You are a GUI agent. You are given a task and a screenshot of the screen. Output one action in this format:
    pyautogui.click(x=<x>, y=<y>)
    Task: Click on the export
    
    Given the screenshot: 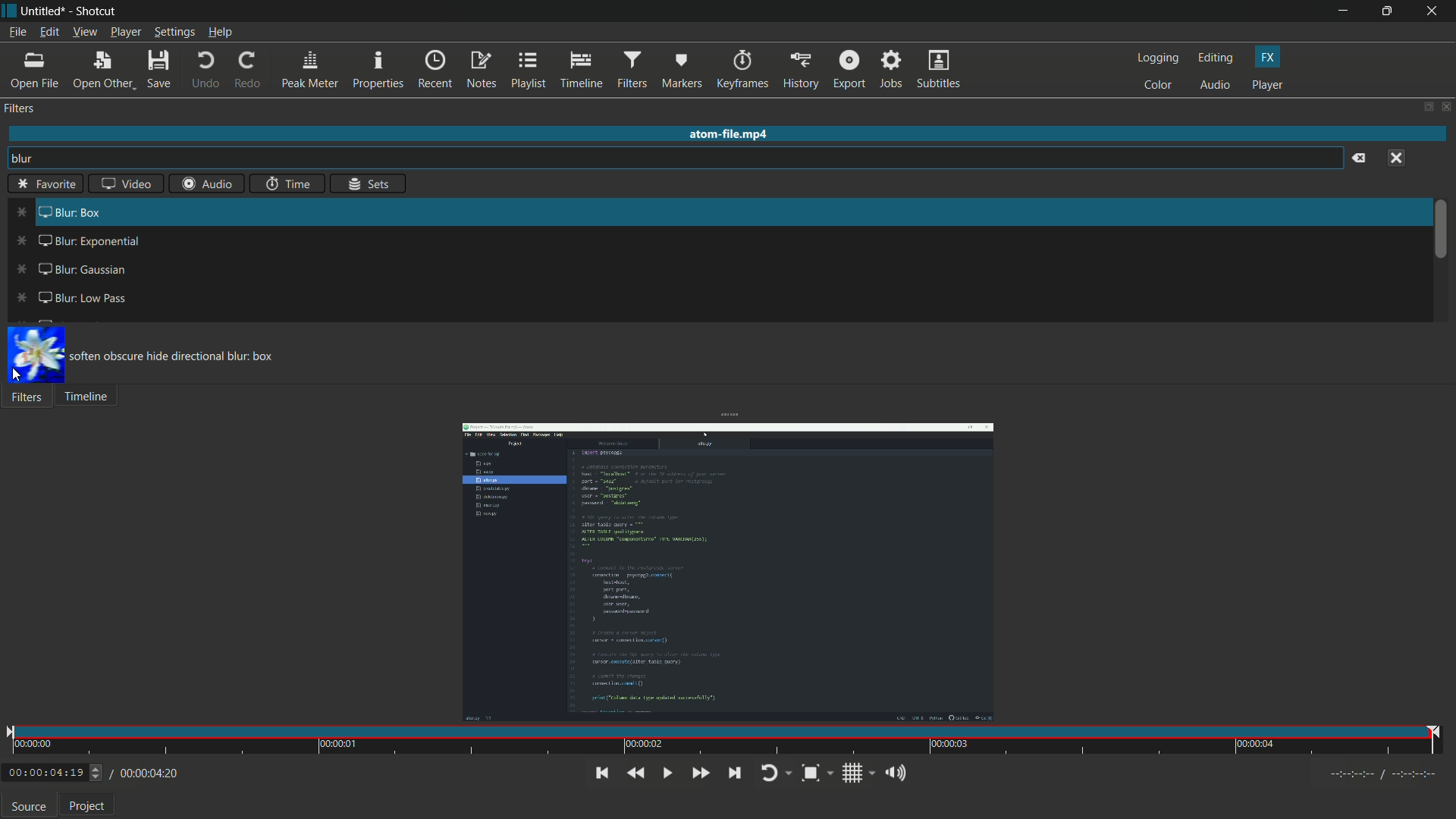 What is the action you would take?
    pyautogui.click(x=847, y=71)
    